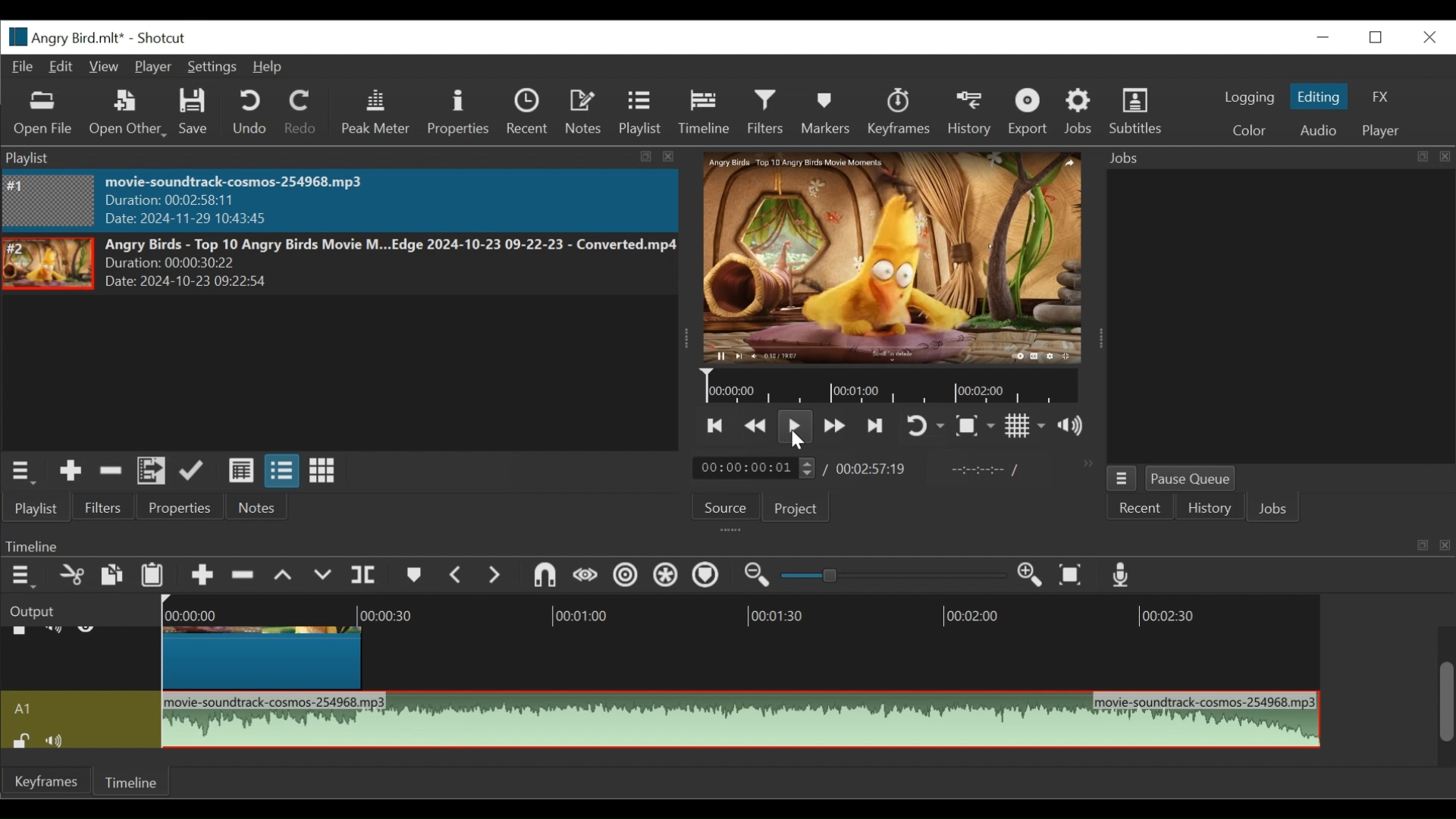 The height and width of the screenshot is (819, 1456). What do you see at coordinates (977, 427) in the screenshot?
I see `Toggle Zoom` at bounding box center [977, 427].